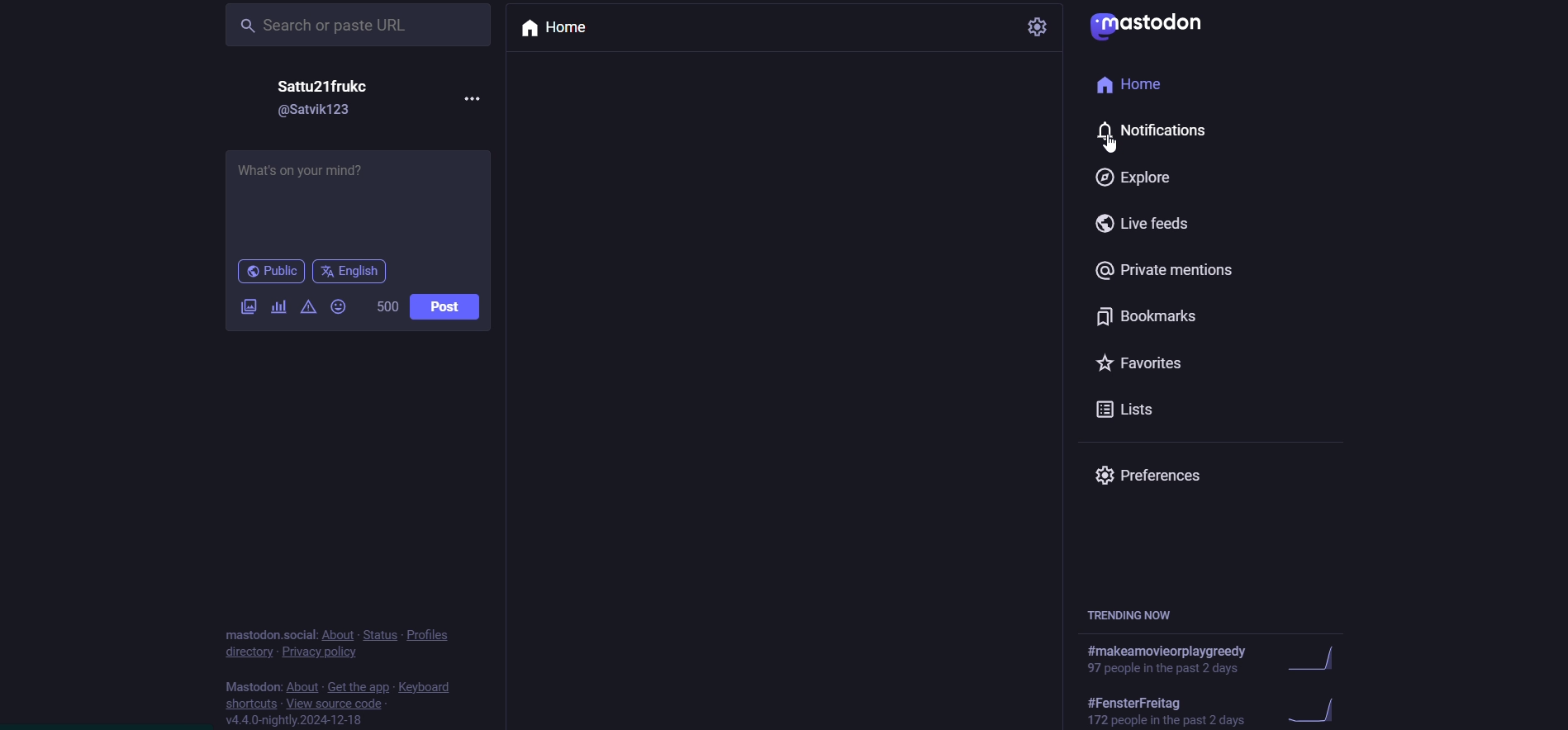 The image size is (1568, 730). What do you see at coordinates (432, 633) in the screenshot?
I see `profiles` at bounding box center [432, 633].